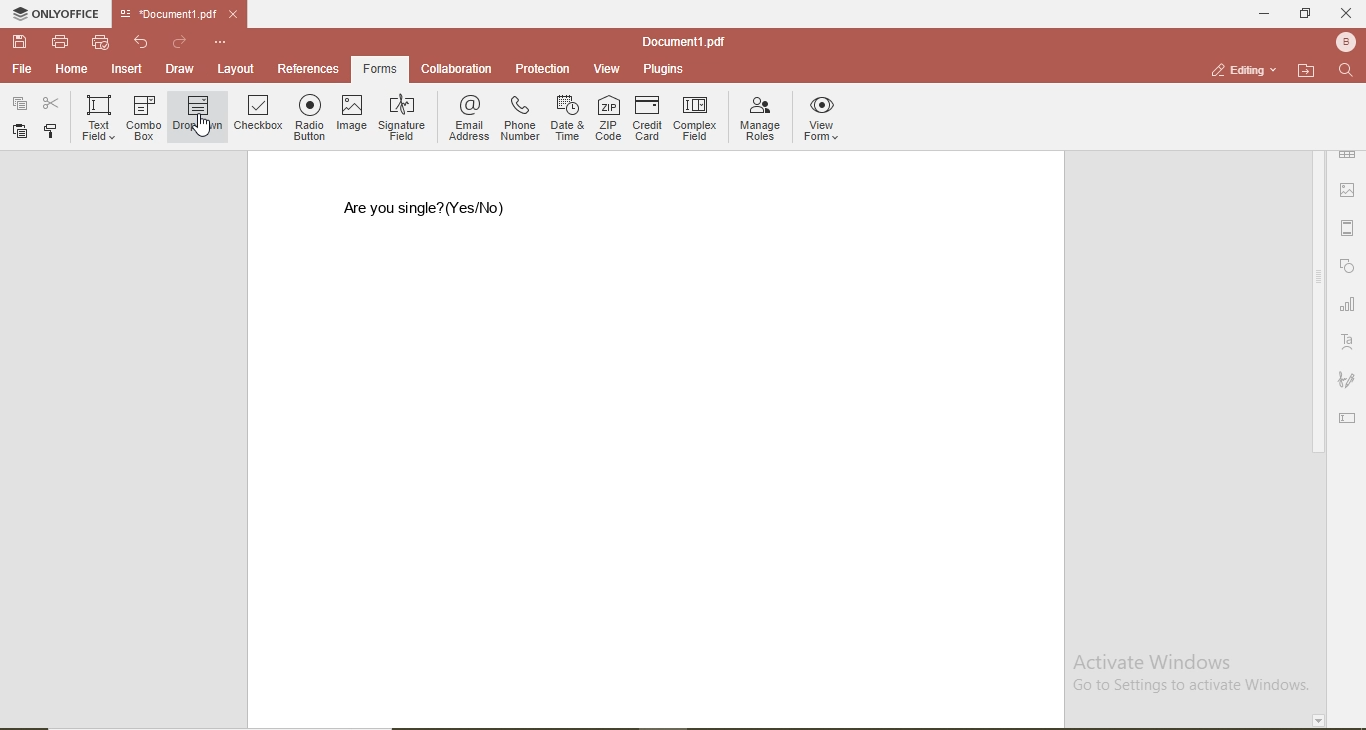 Image resolution: width=1366 pixels, height=730 pixels. Describe the element at coordinates (660, 69) in the screenshot. I see `plugins` at that location.